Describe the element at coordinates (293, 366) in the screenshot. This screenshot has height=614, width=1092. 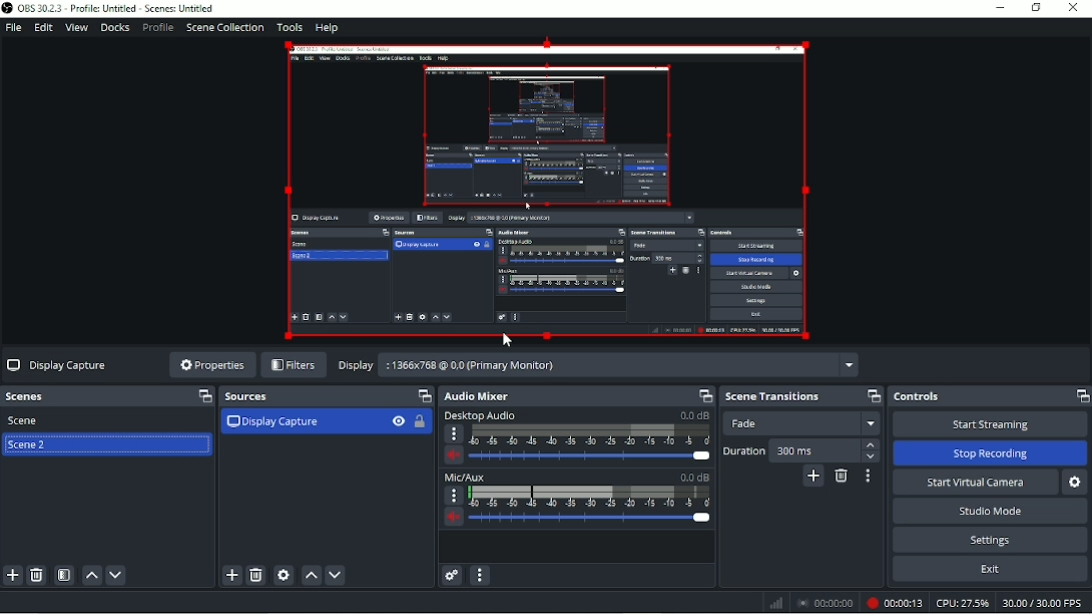
I see `Filters` at that location.